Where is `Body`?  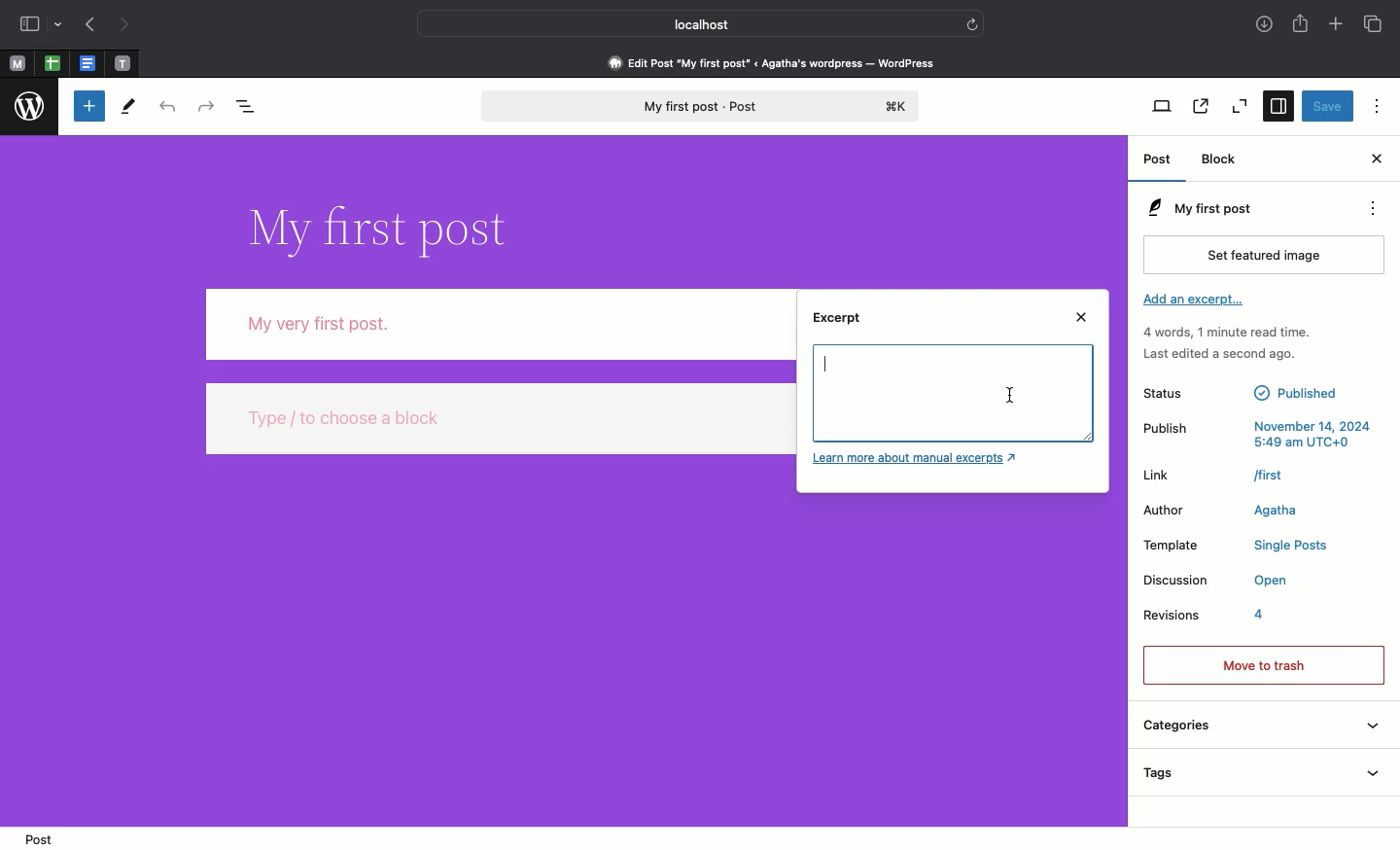
Body is located at coordinates (498, 322).